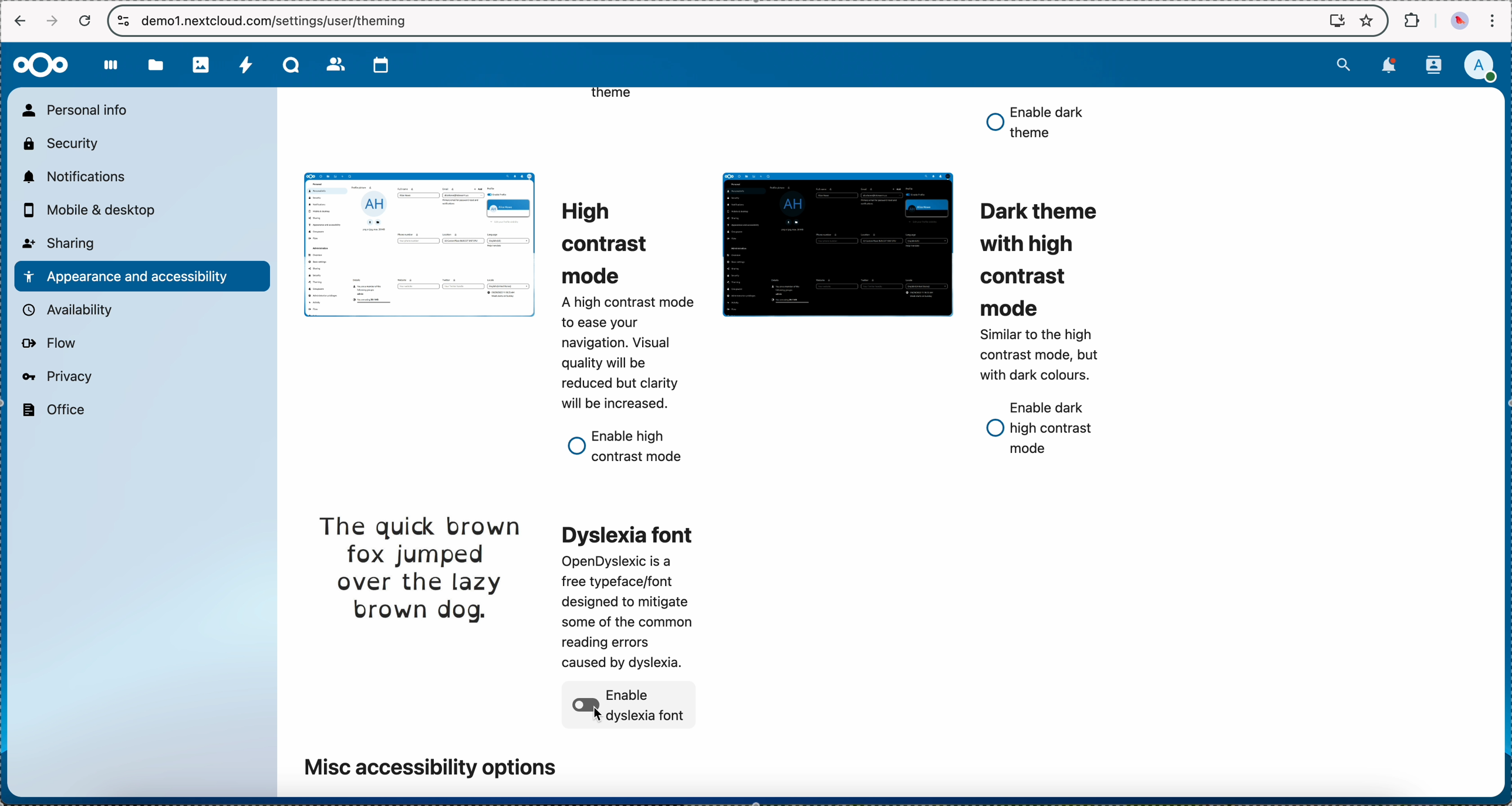  Describe the element at coordinates (1035, 123) in the screenshot. I see `enable dark theme option` at that location.